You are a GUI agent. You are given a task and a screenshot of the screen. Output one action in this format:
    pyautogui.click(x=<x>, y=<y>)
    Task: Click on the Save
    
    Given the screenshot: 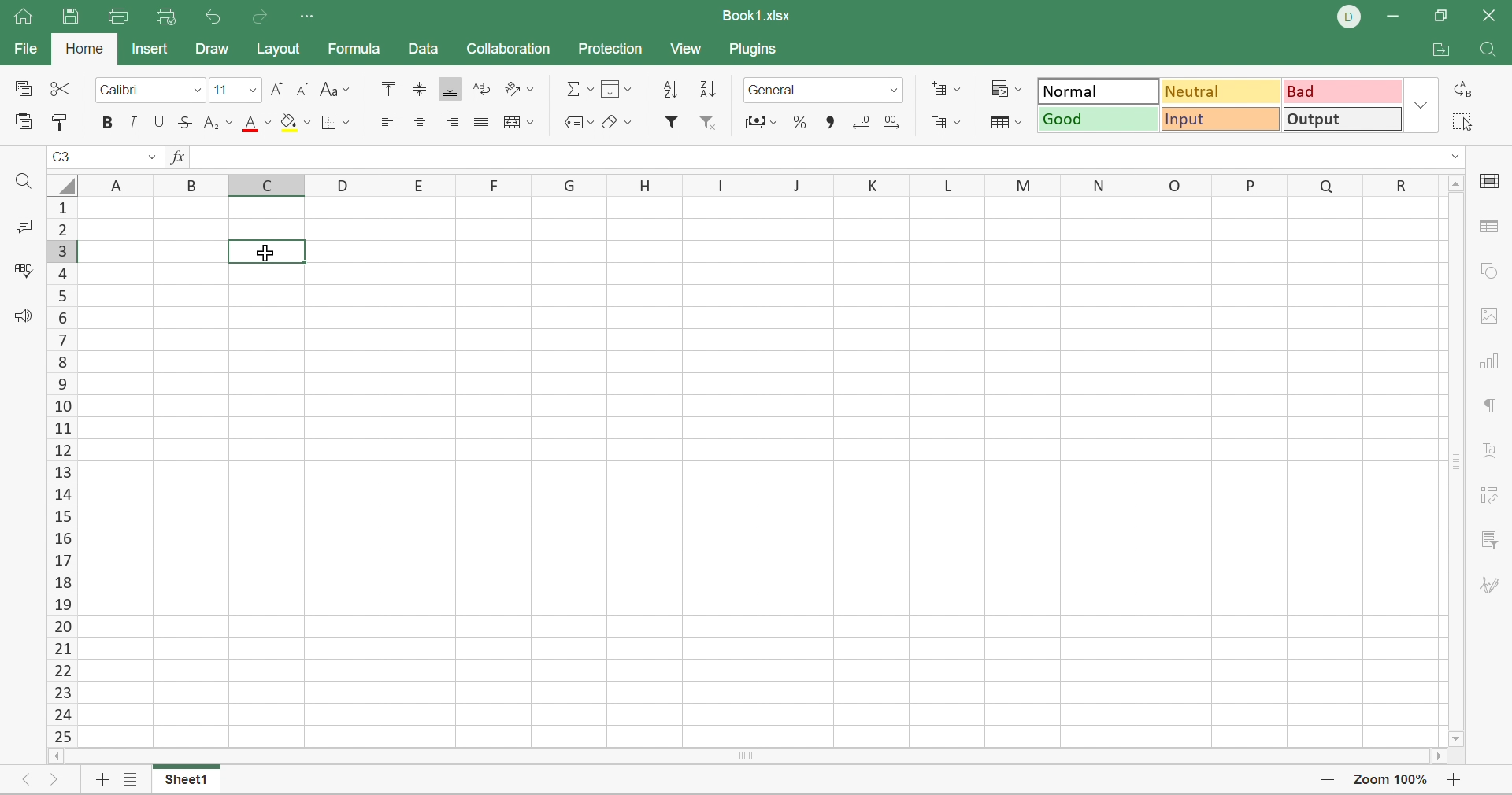 What is the action you would take?
    pyautogui.click(x=73, y=17)
    